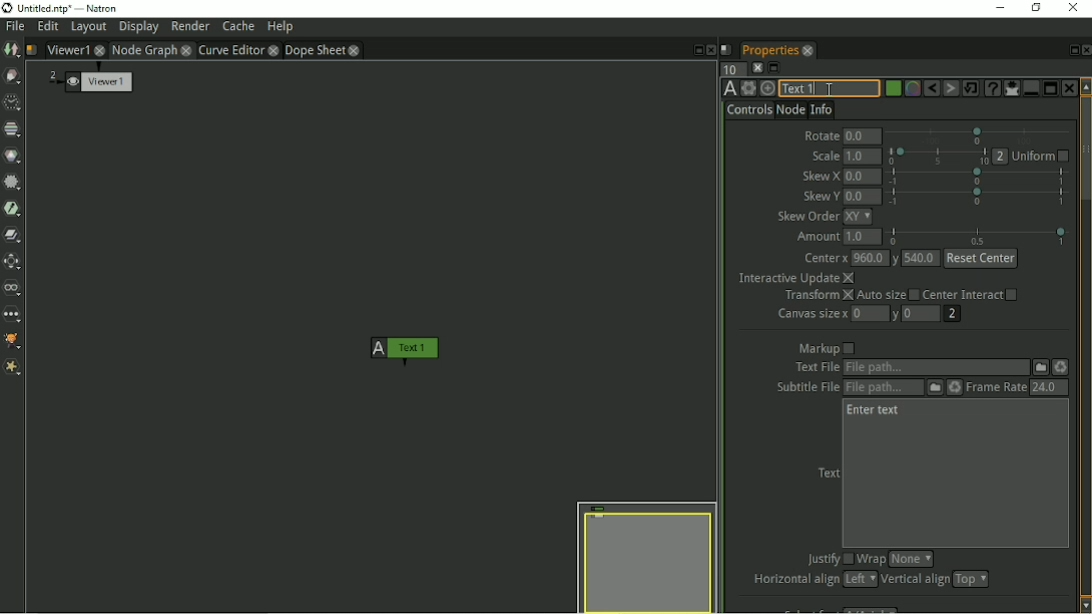 The image size is (1092, 614). I want to click on Reload the file, so click(1064, 368).